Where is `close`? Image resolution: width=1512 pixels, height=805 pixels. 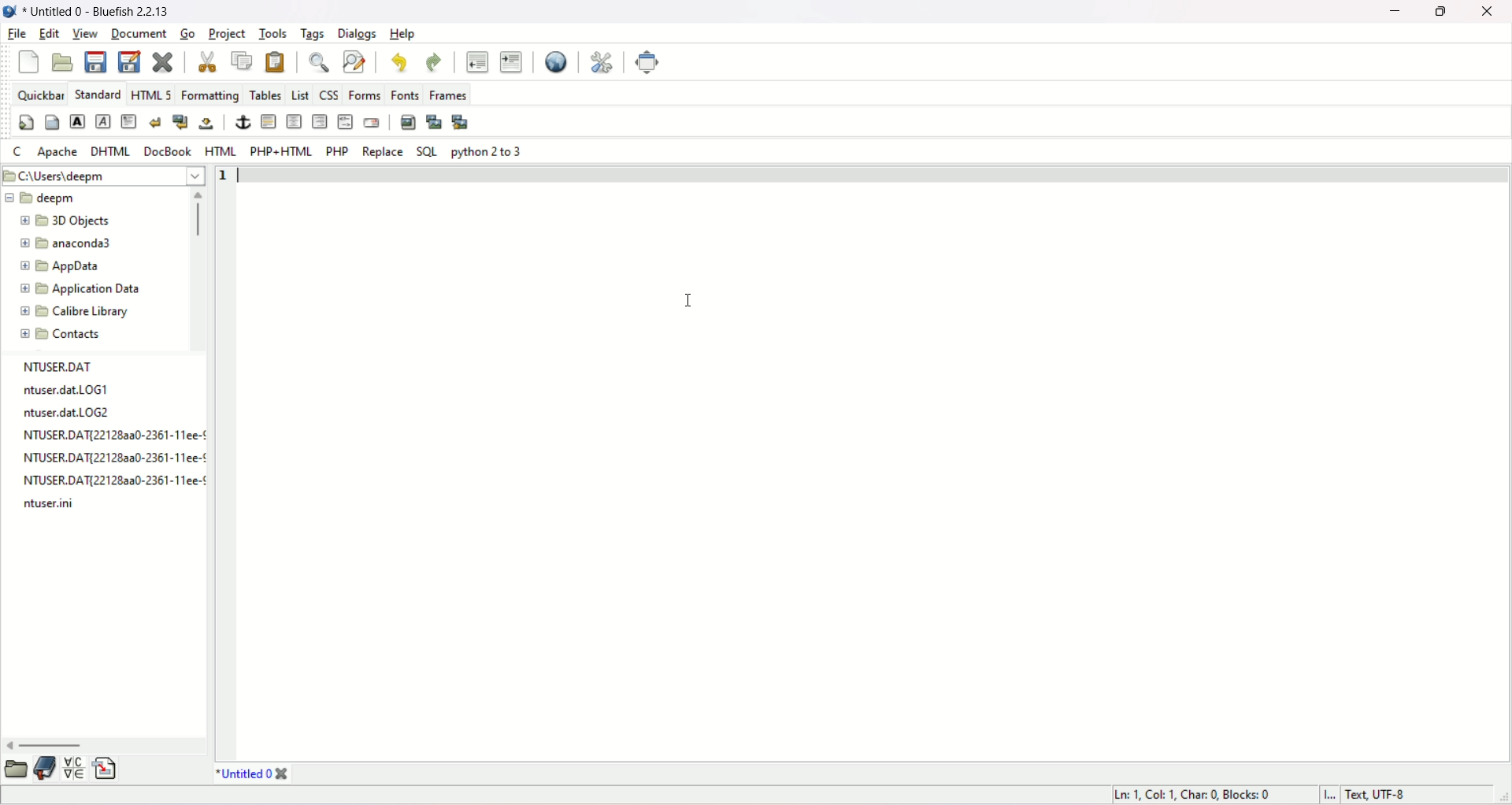 close is located at coordinates (1490, 12).